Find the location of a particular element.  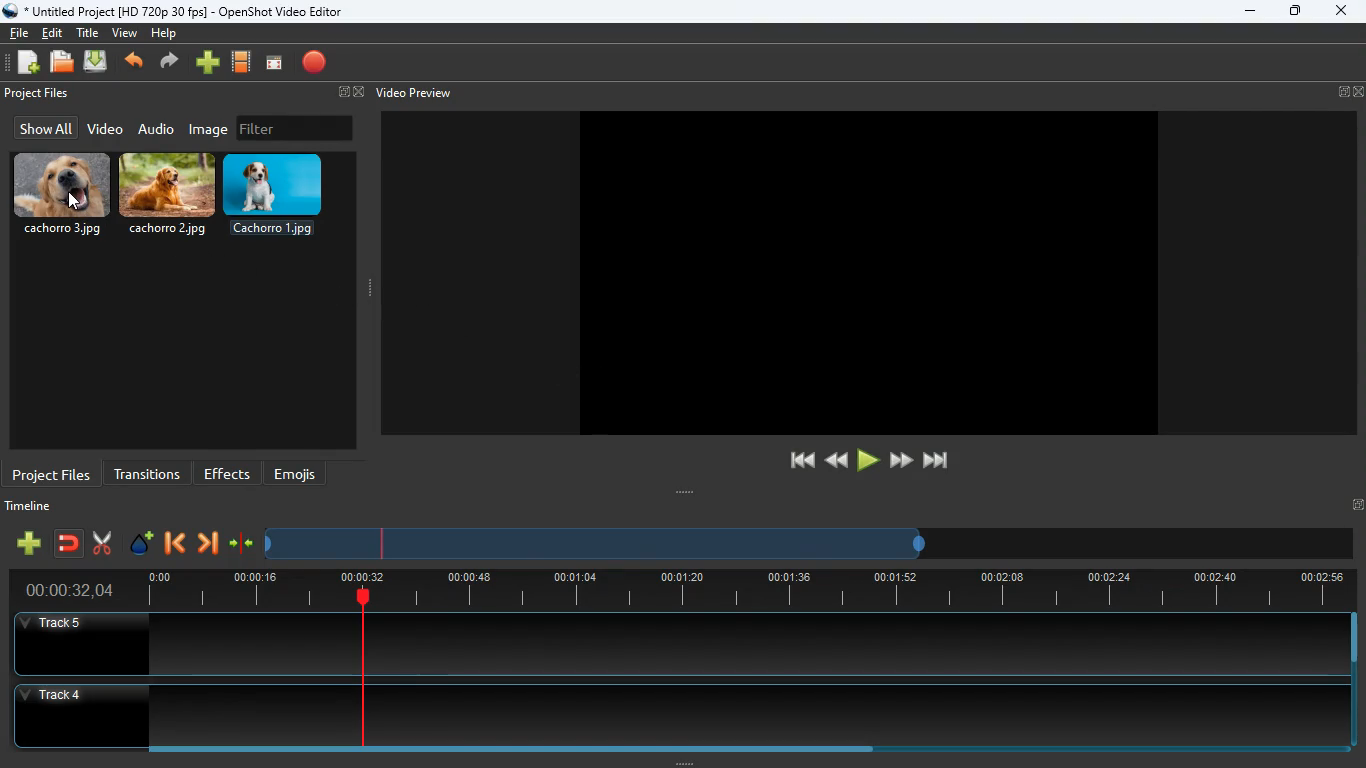

play is located at coordinates (868, 461).